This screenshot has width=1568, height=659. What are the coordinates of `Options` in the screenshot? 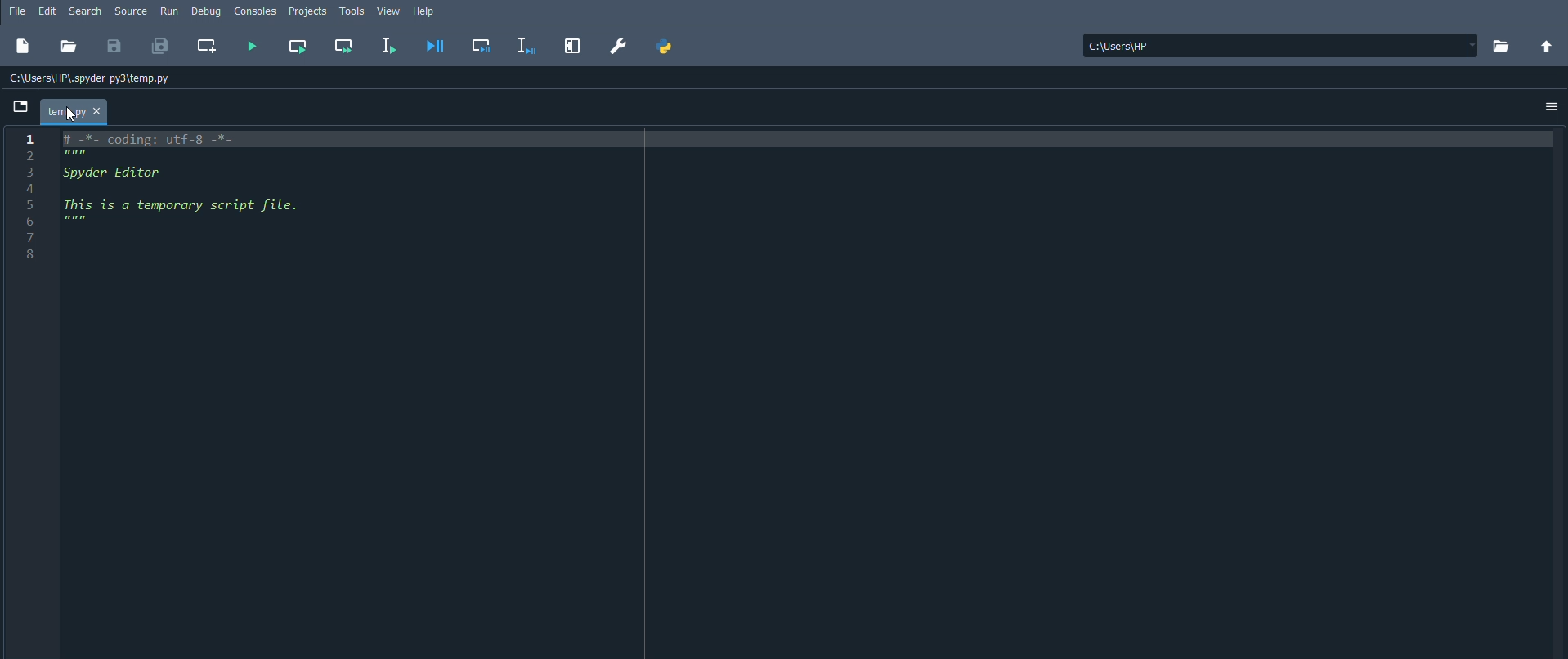 It's located at (1551, 106).